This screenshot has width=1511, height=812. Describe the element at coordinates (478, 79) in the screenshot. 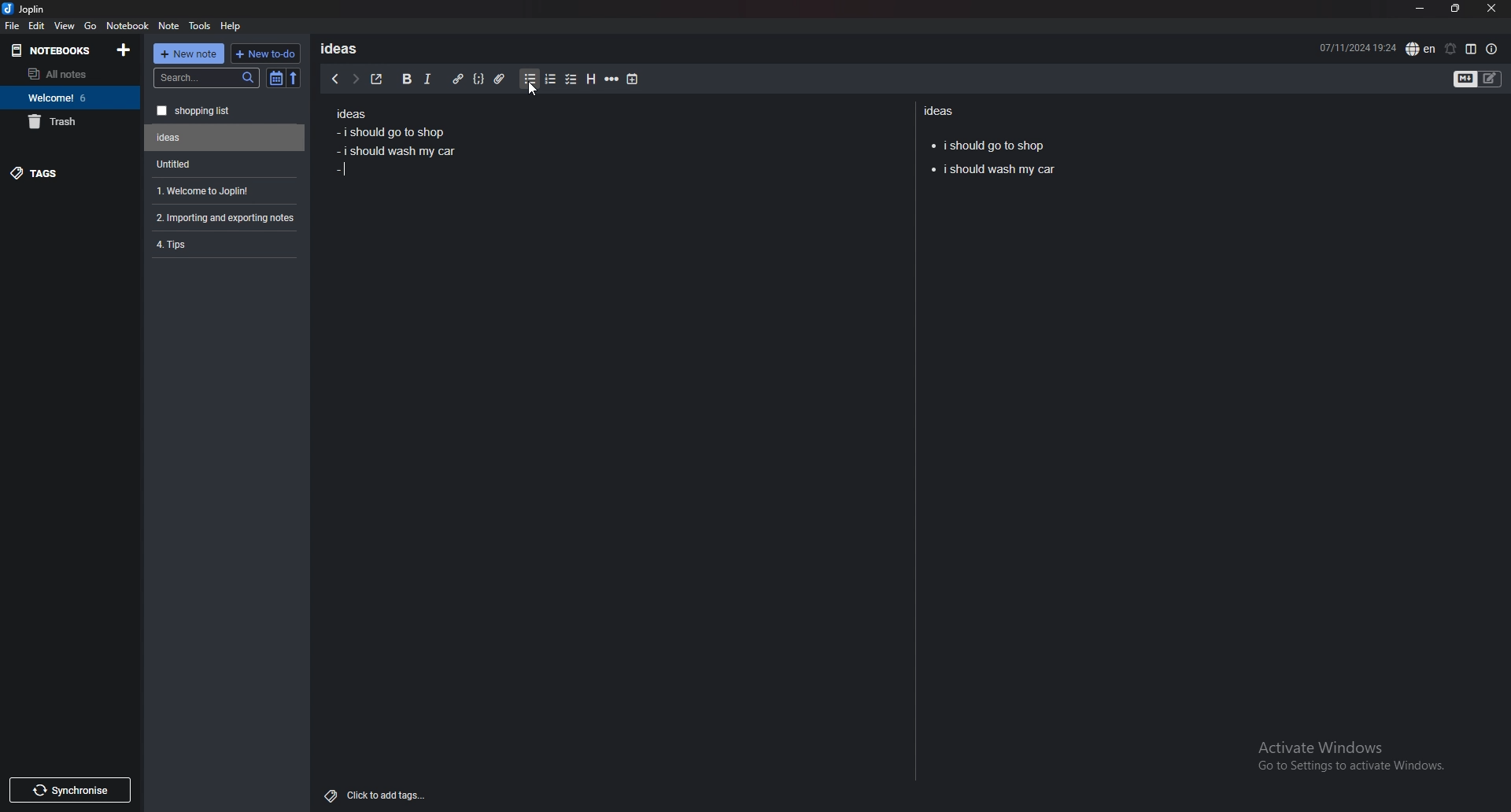

I see `code` at that location.